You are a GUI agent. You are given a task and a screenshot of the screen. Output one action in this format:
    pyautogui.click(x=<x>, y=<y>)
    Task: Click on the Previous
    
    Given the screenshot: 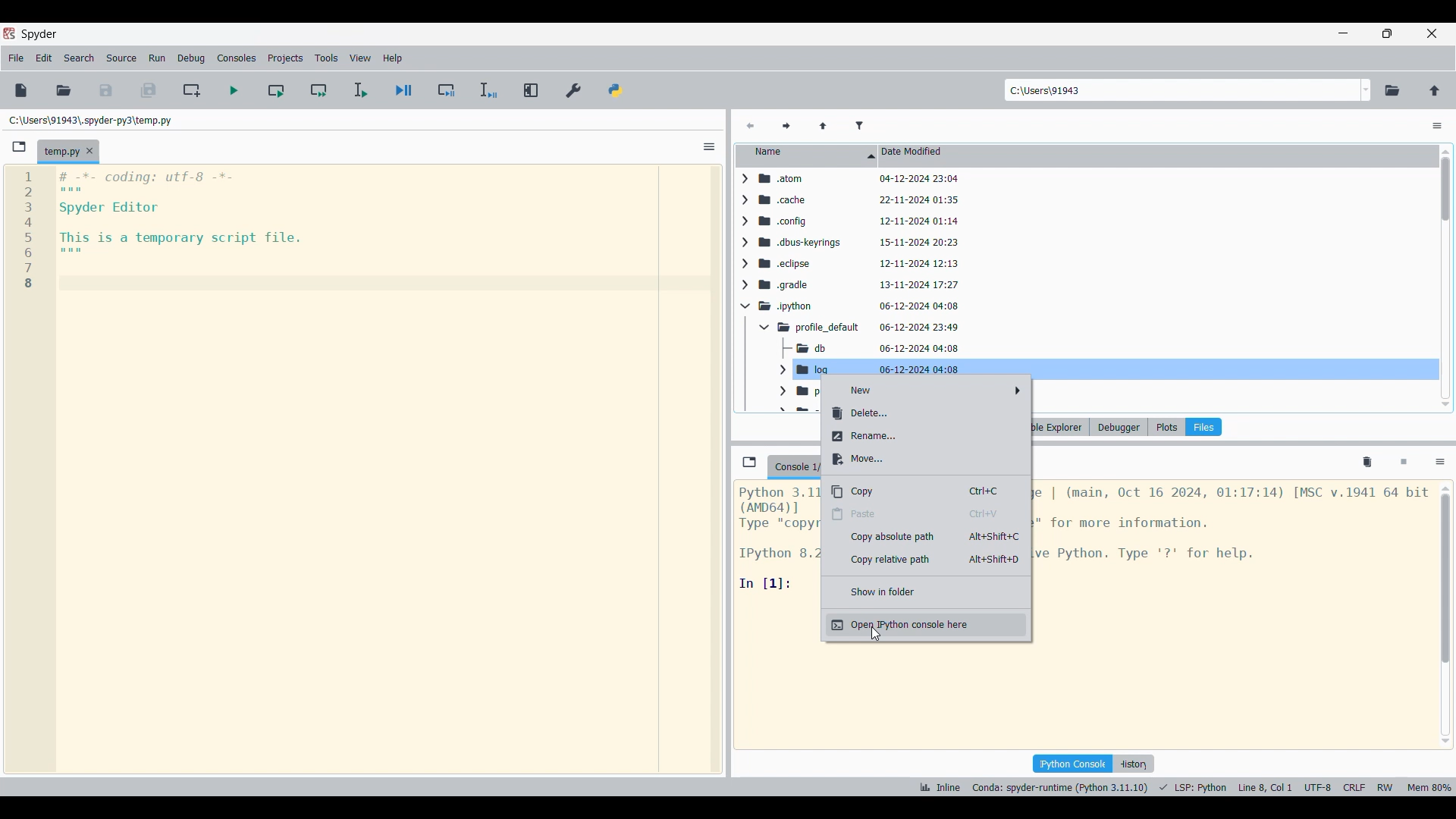 What is the action you would take?
    pyautogui.click(x=750, y=127)
    